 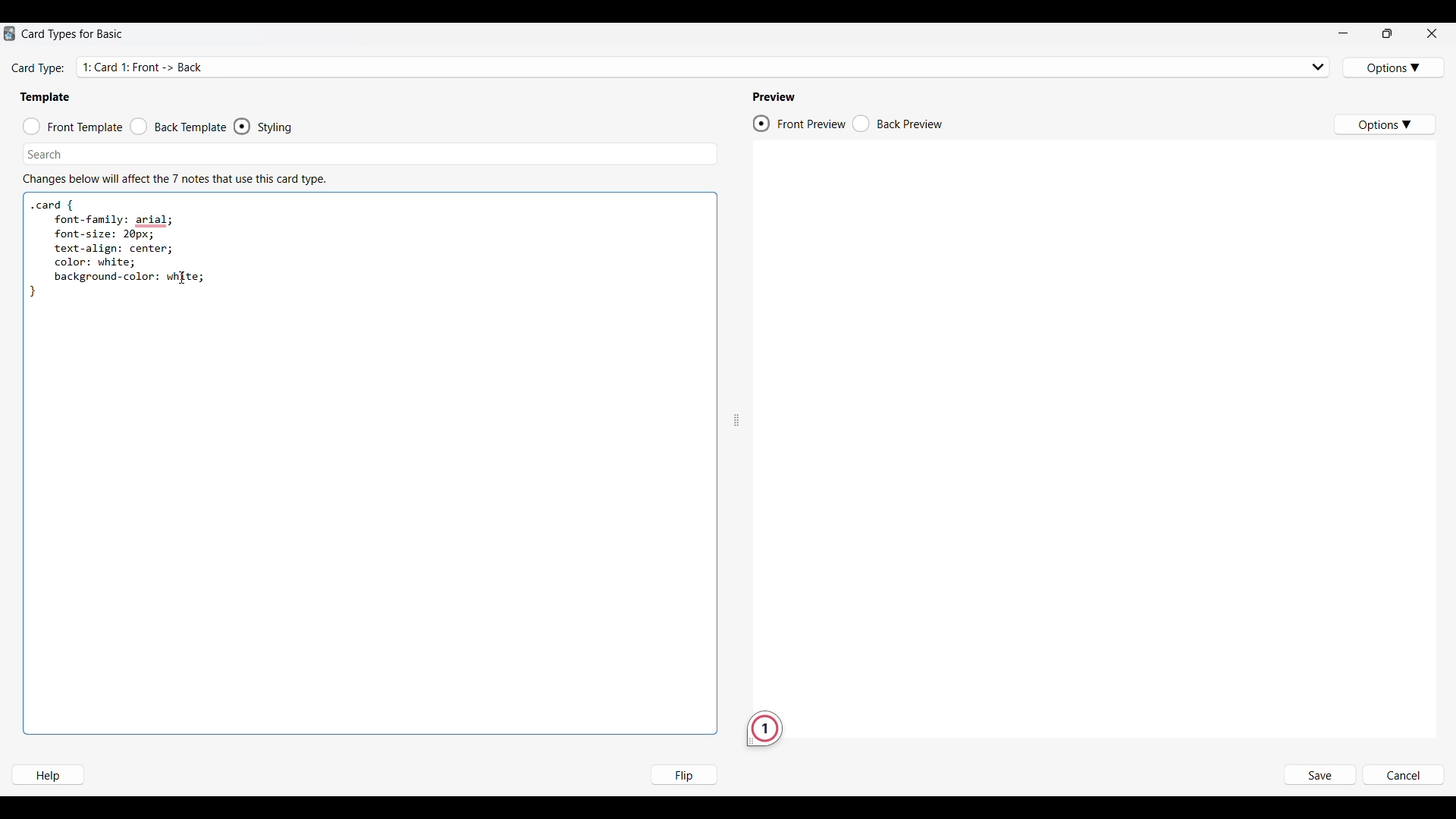 I want to click on Close interface, so click(x=1432, y=33).